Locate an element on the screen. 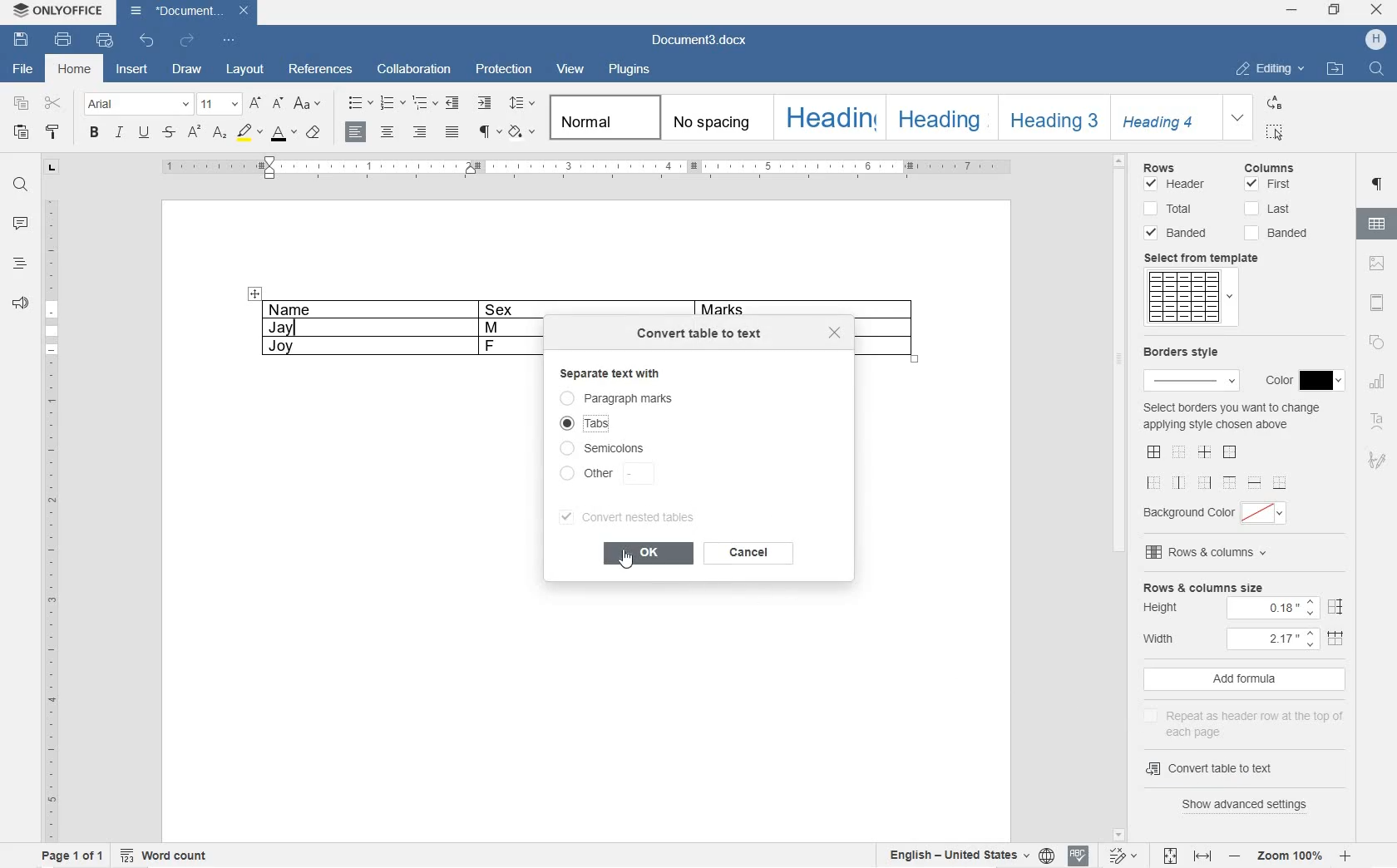  HEADERS & FOOTERS is located at coordinates (1377, 301).